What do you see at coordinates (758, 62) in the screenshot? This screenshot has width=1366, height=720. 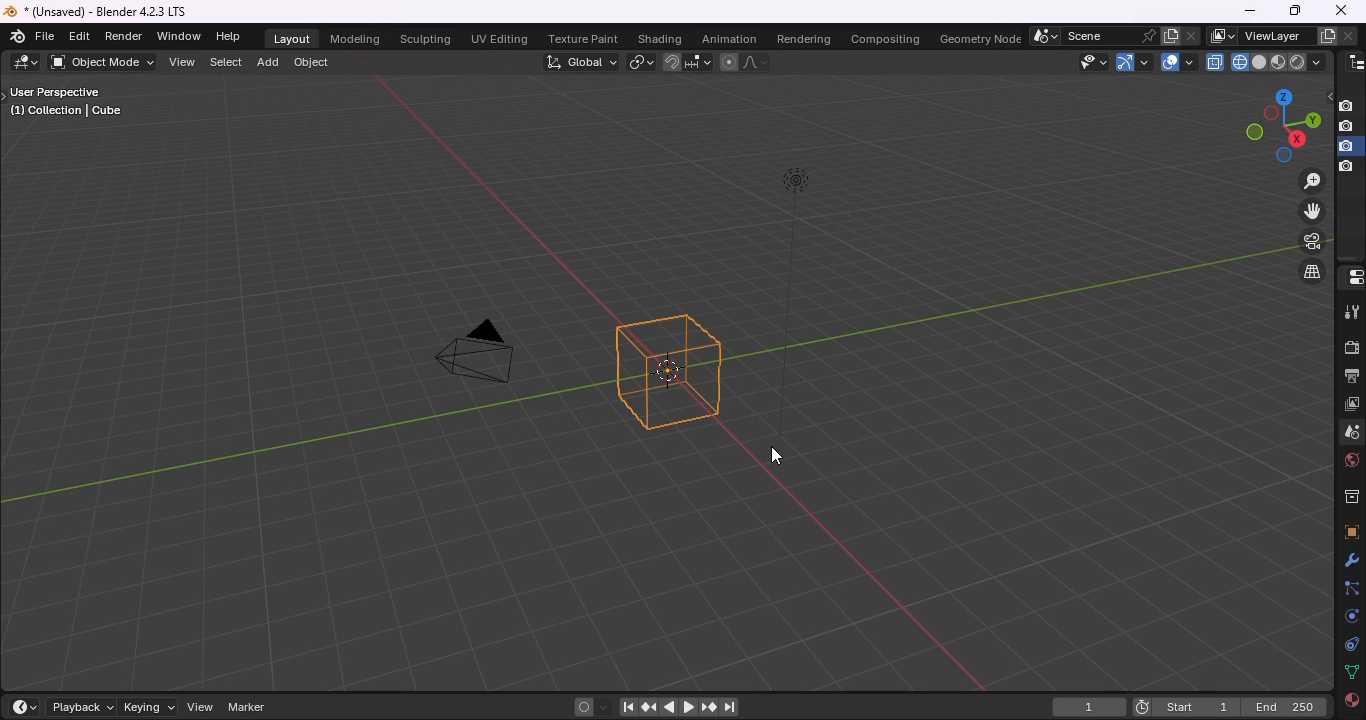 I see `proportional editing falloff` at bounding box center [758, 62].